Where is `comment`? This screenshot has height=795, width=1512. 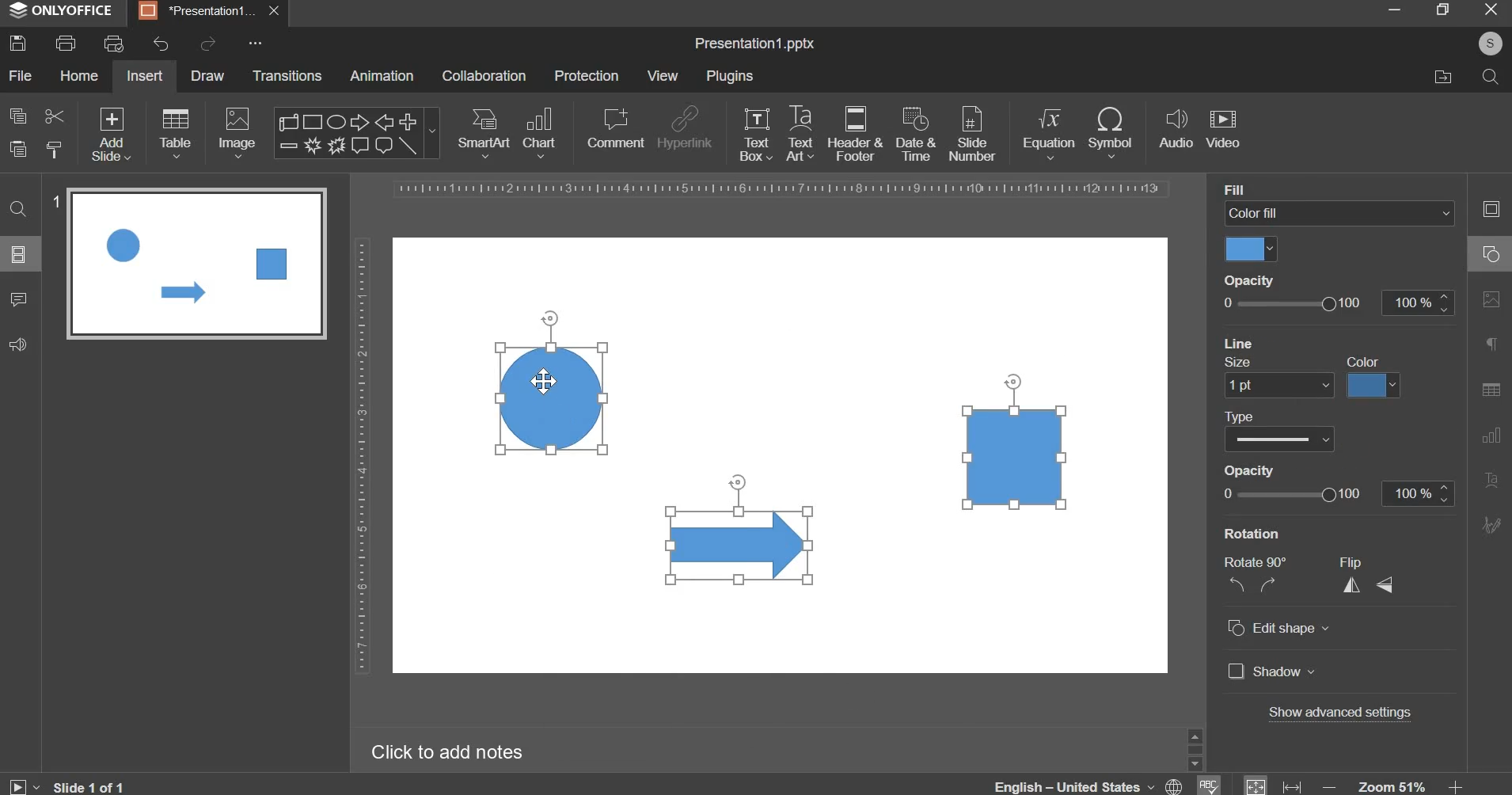 comment is located at coordinates (17, 298).